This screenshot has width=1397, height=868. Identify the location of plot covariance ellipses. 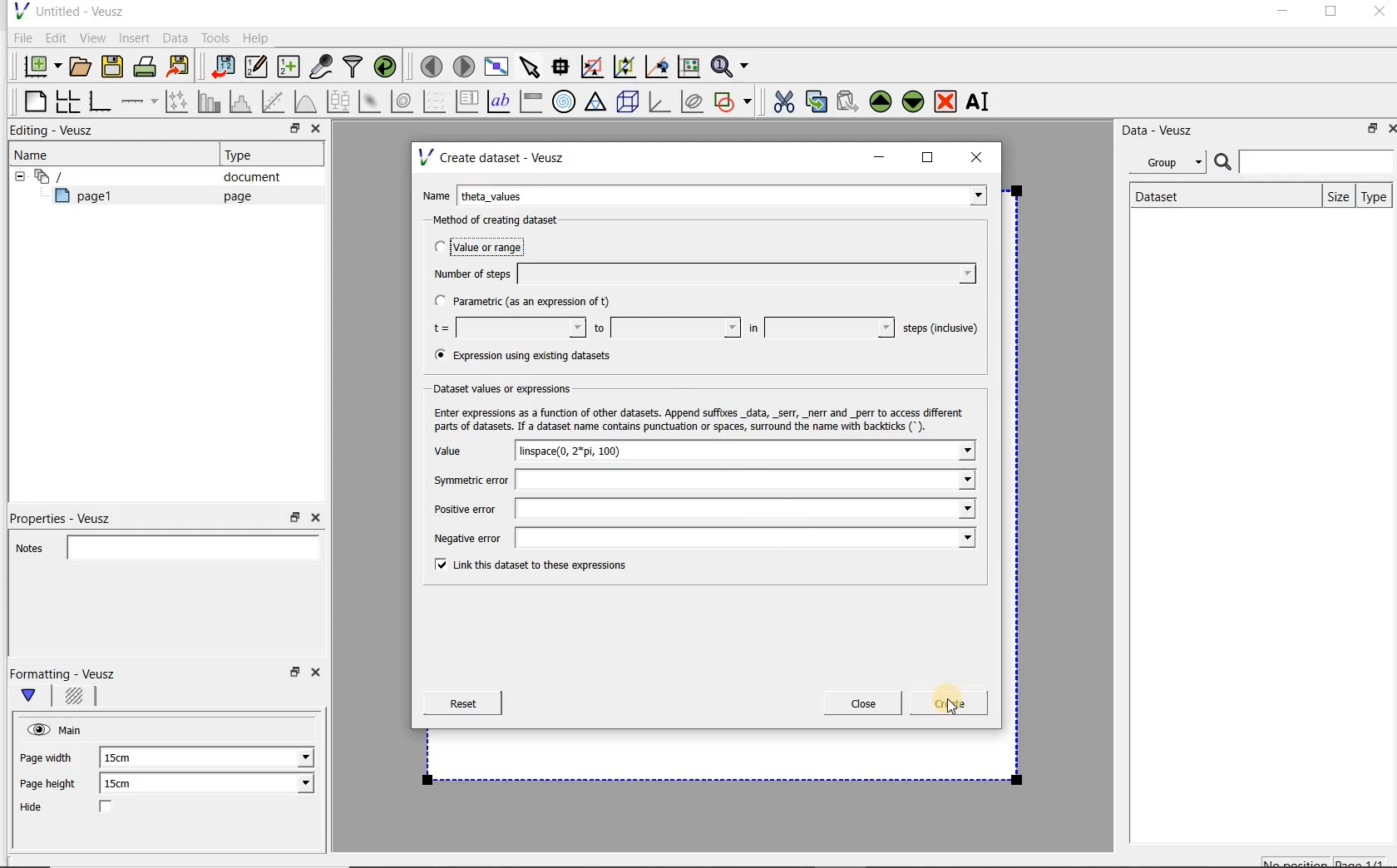
(693, 101).